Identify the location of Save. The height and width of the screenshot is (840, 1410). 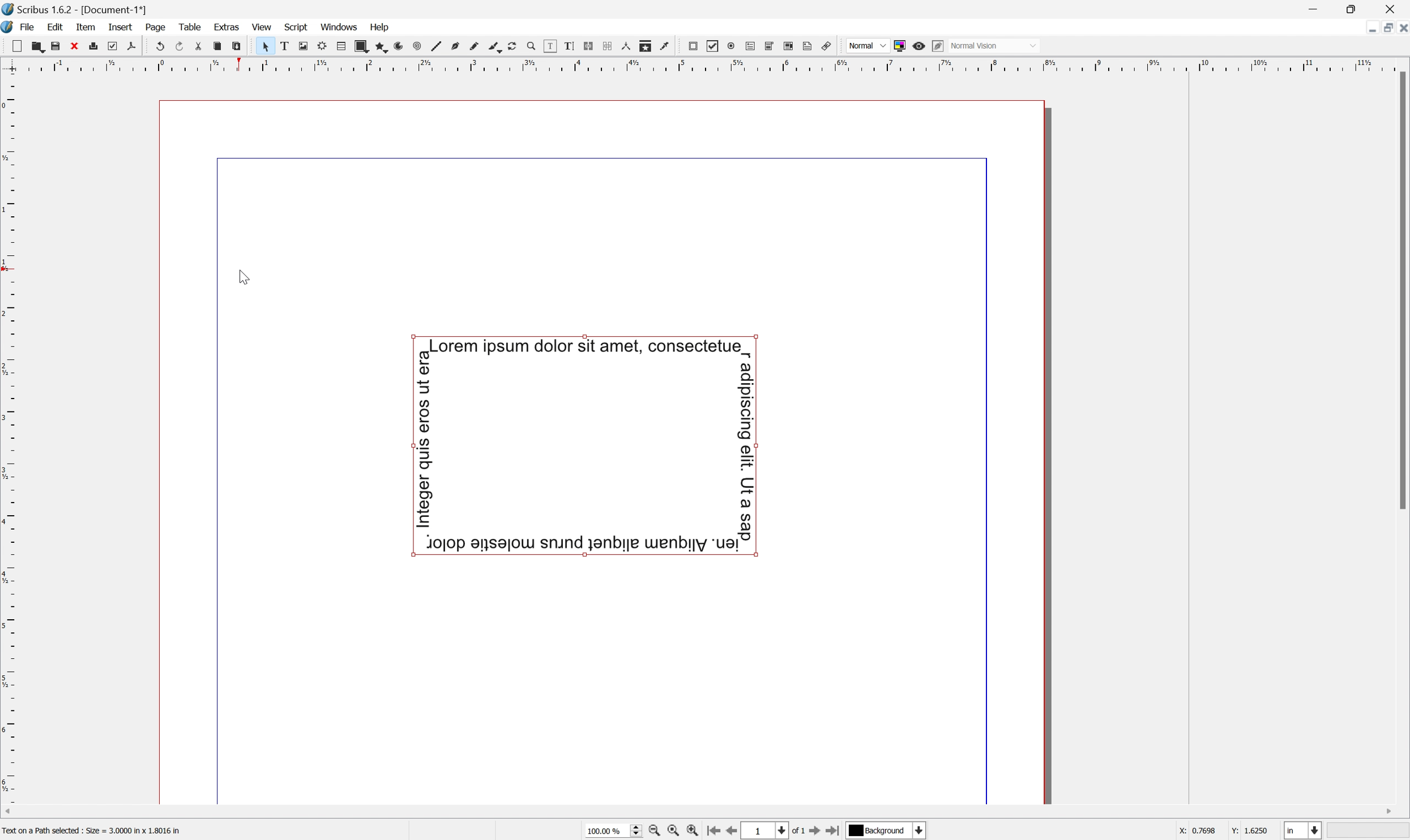
(54, 46).